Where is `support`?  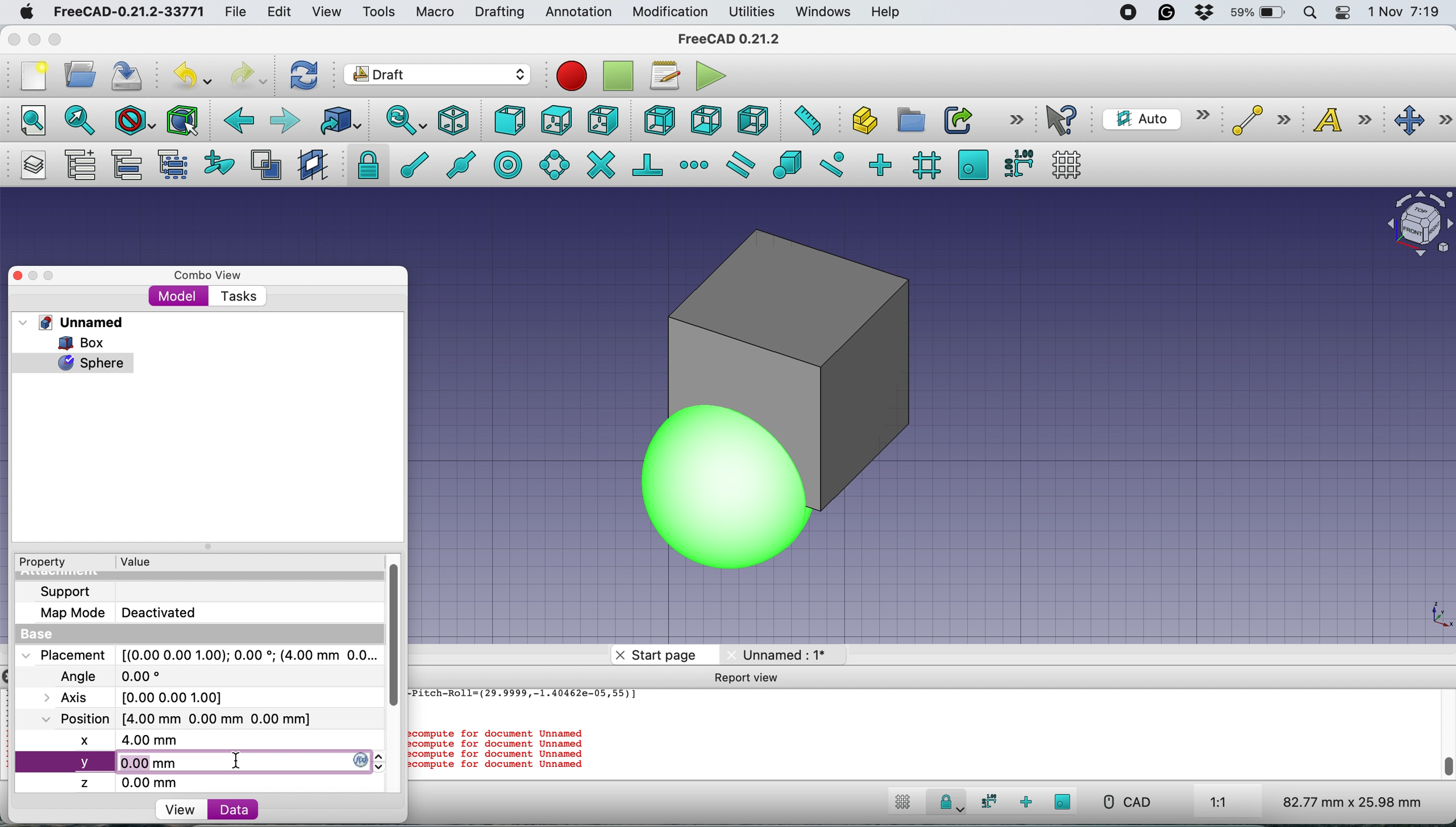
support is located at coordinates (69, 590).